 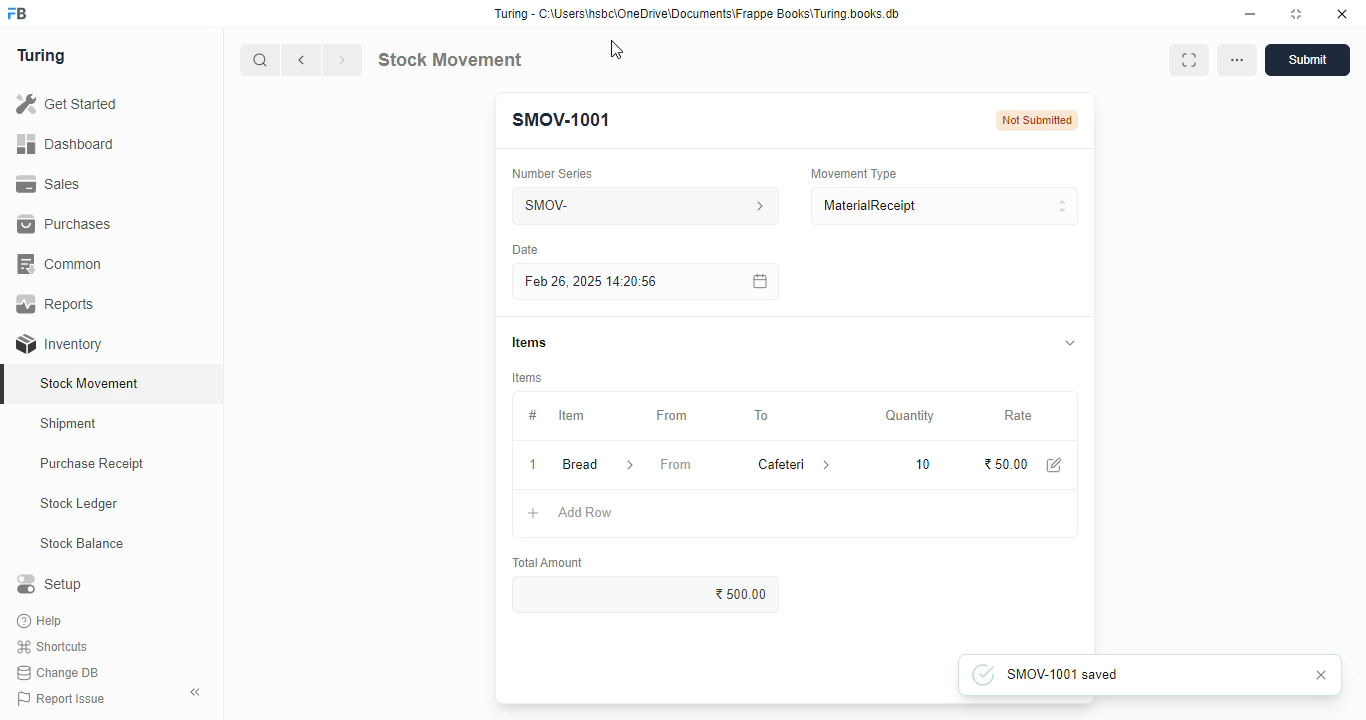 I want to click on #, so click(x=533, y=416).